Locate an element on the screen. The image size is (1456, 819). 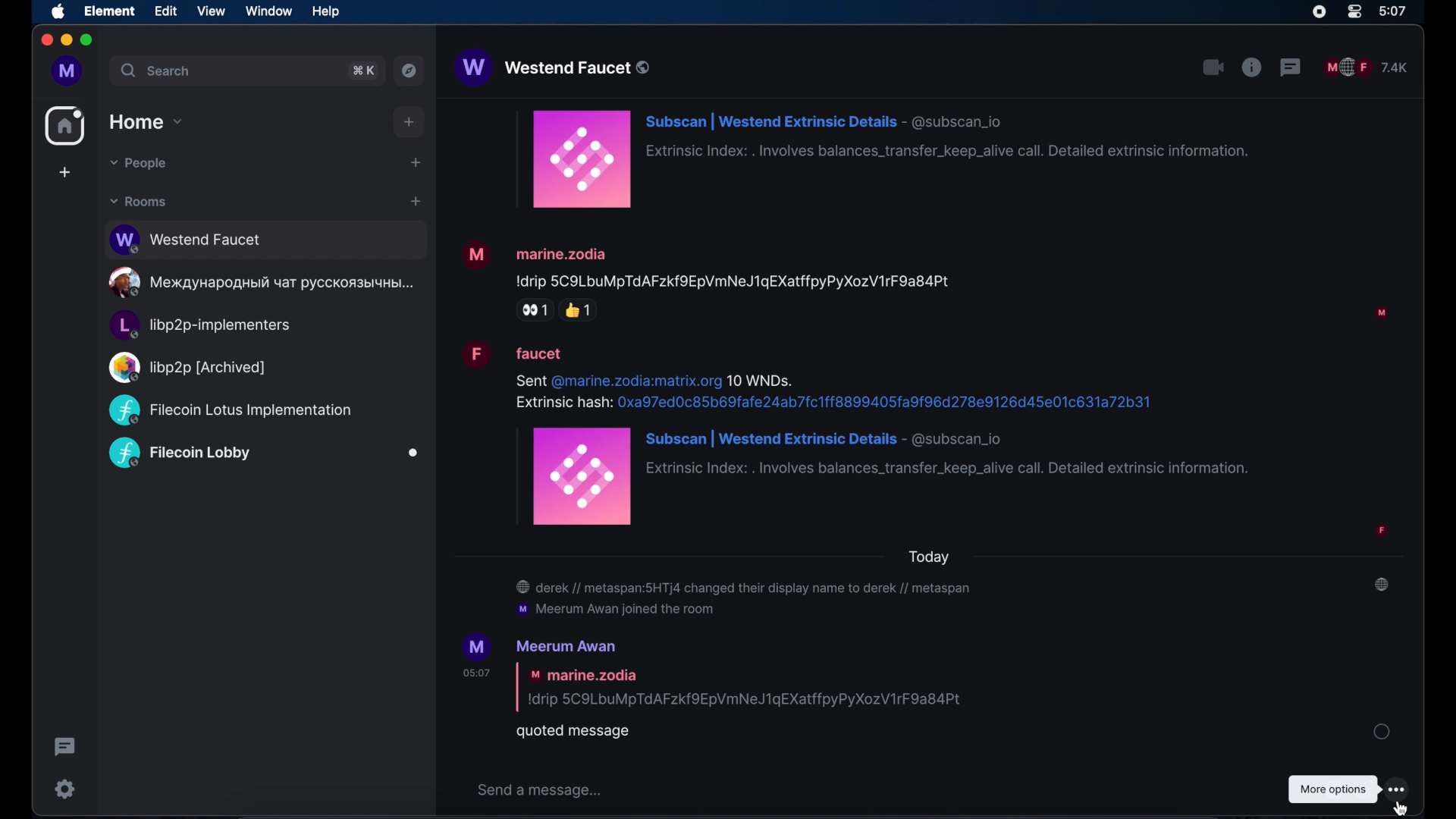
public room is located at coordinates (264, 454).